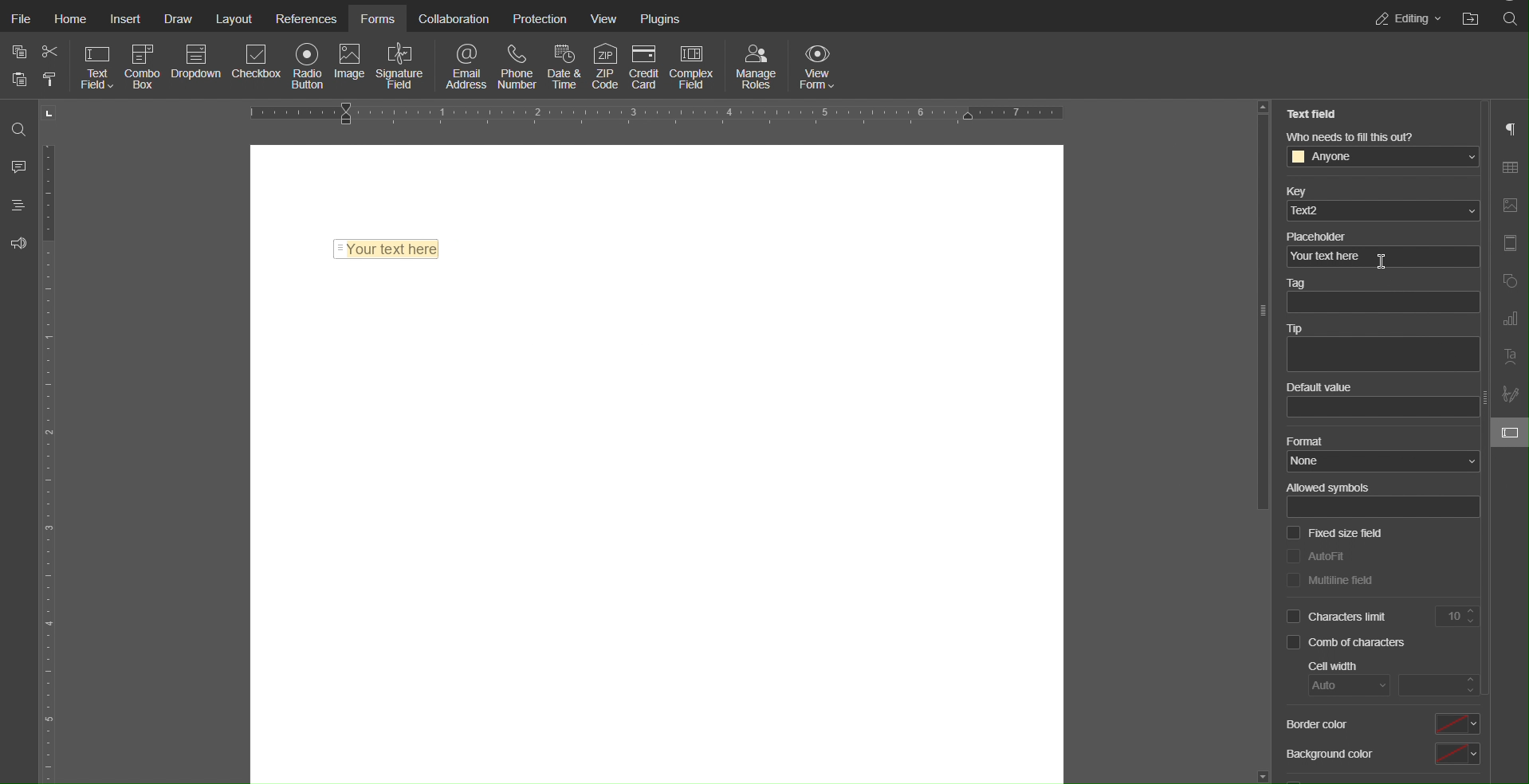 The image size is (1529, 784). What do you see at coordinates (538, 20) in the screenshot?
I see `Protection` at bounding box center [538, 20].